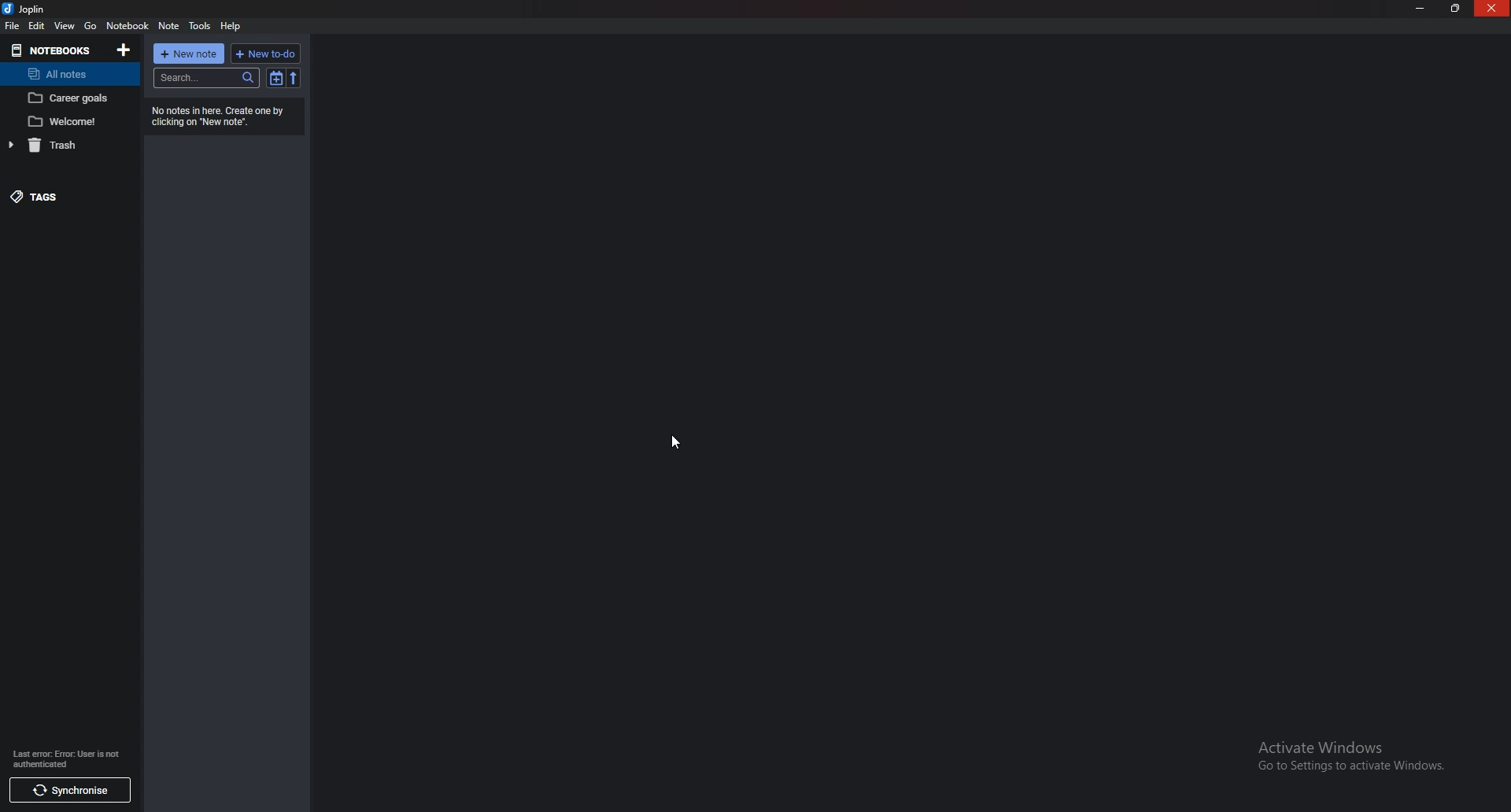  Describe the element at coordinates (201, 26) in the screenshot. I see `tools` at that location.